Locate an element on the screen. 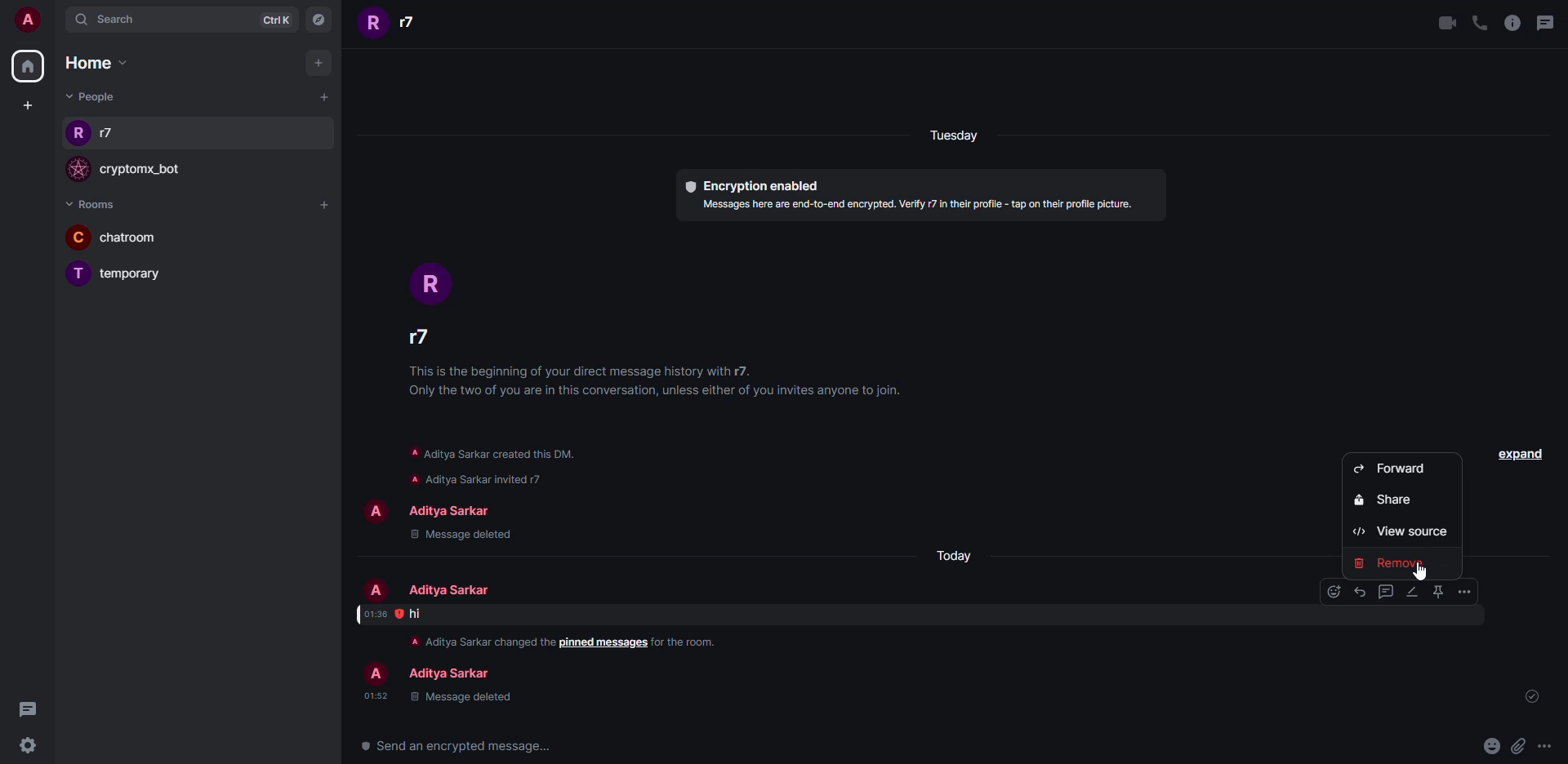 The height and width of the screenshot is (764, 1568). people is located at coordinates (448, 509).